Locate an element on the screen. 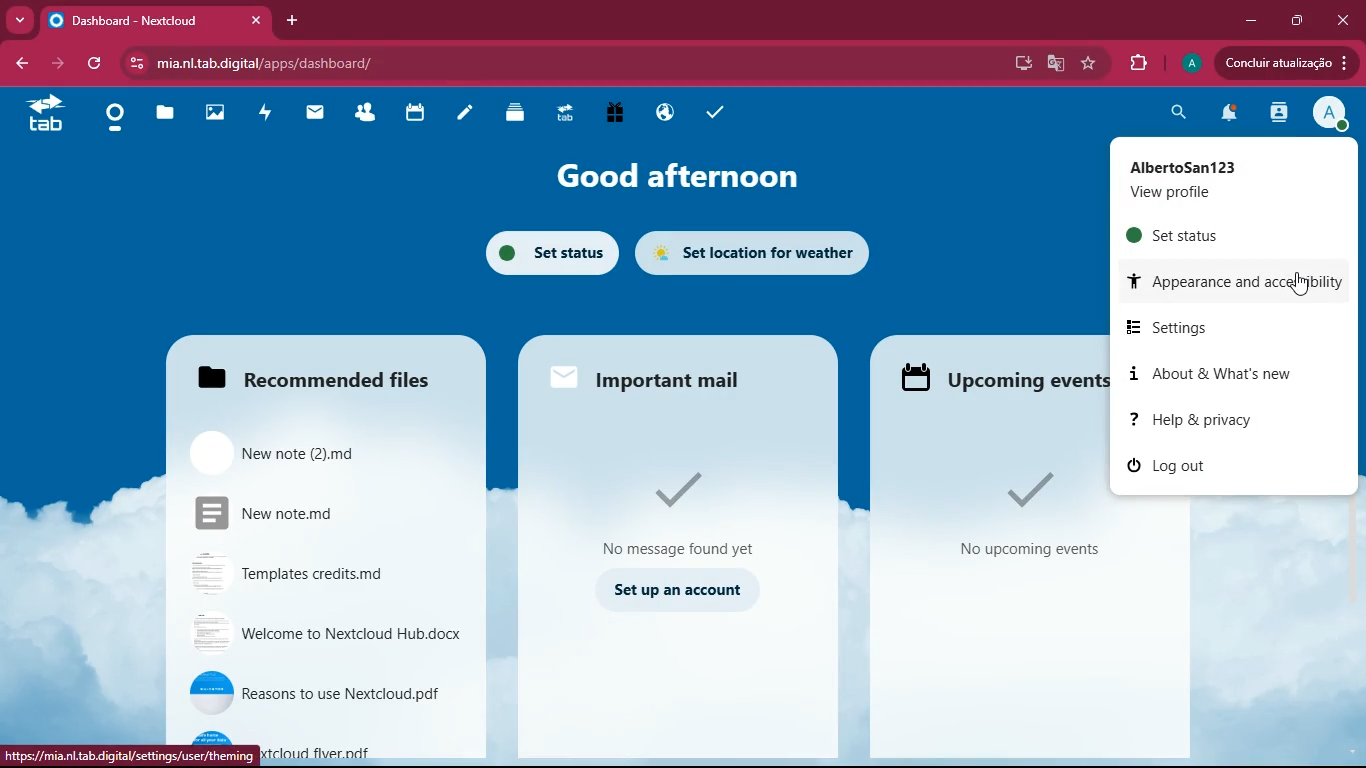 This screenshot has height=768, width=1366. Important mail is located at coordinates (660, 372).